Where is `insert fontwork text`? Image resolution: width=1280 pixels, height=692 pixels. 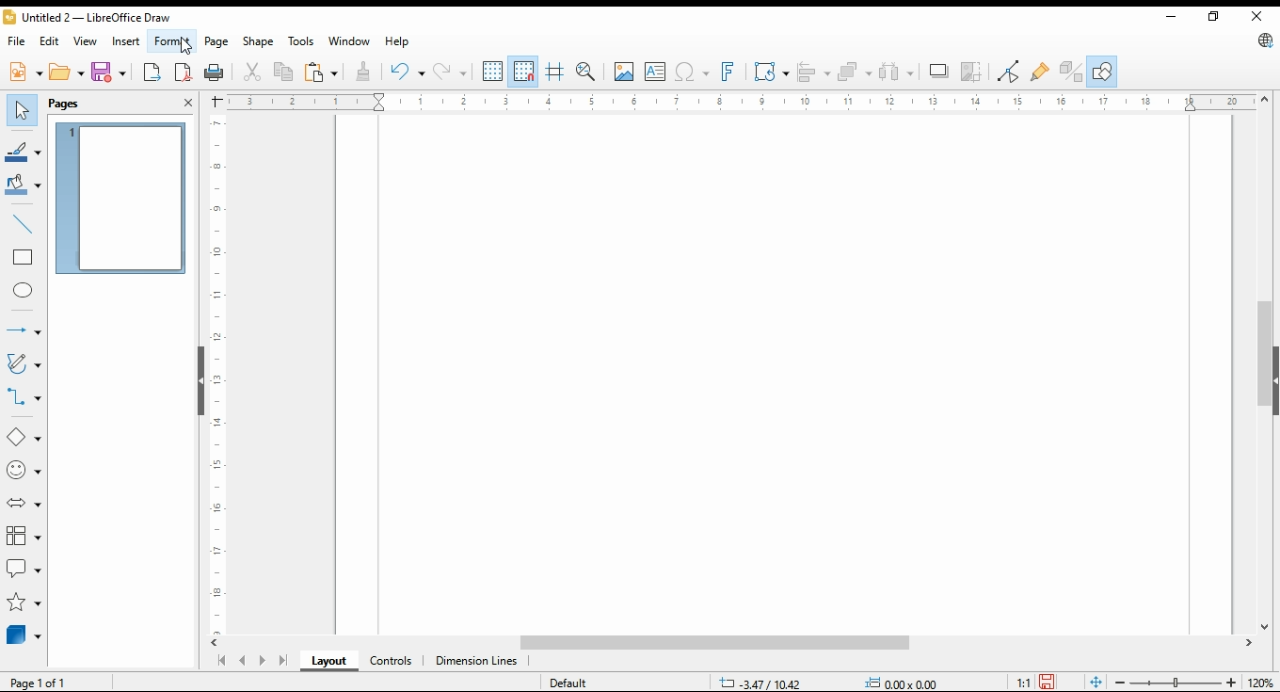
insert fontwork text is located at coordinates (726, 72).